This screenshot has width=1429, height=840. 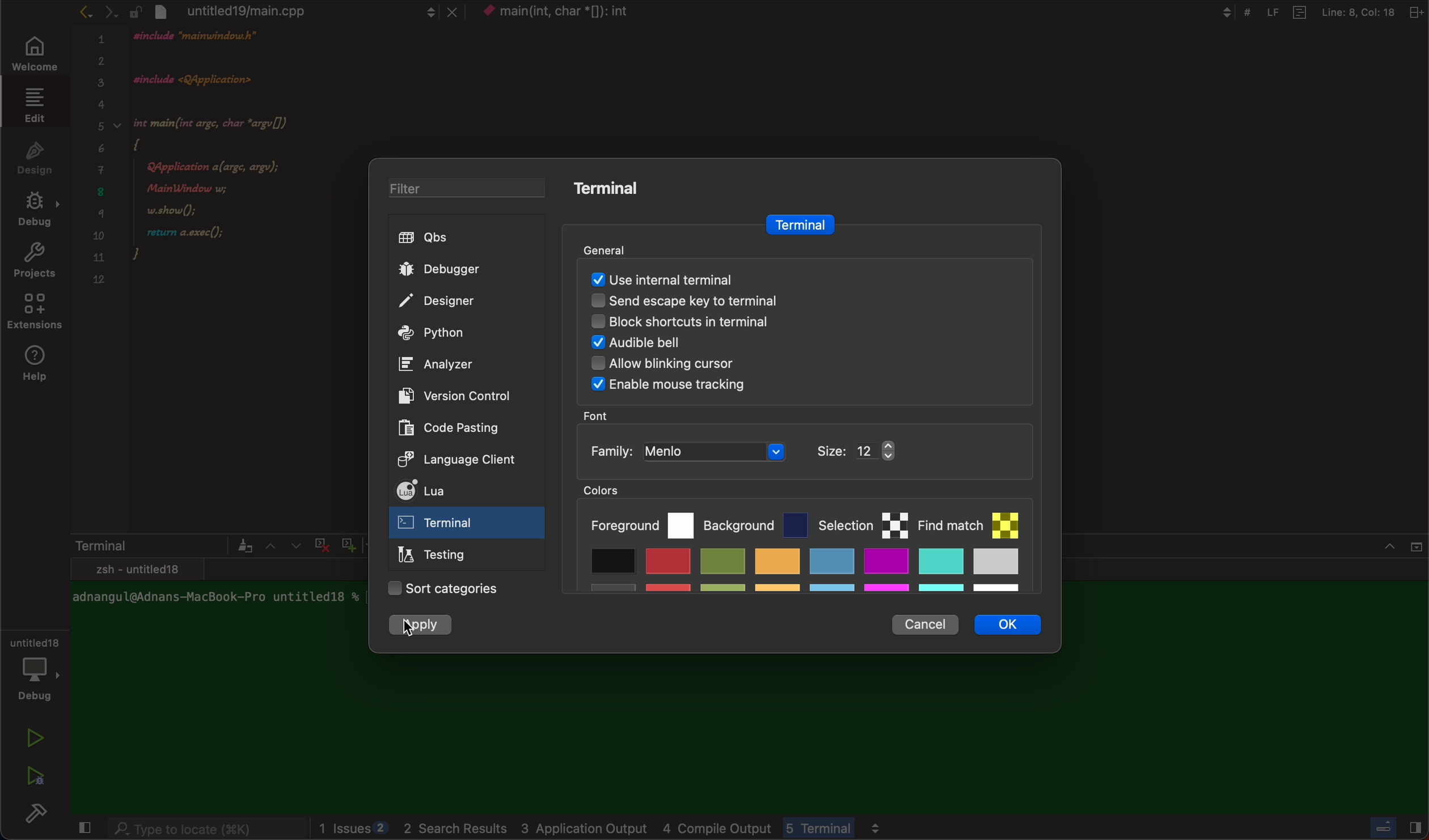 What do you see at coordinates (790, 303) in the screenshot?
I see `send escape` at bounding box center [790, 303].